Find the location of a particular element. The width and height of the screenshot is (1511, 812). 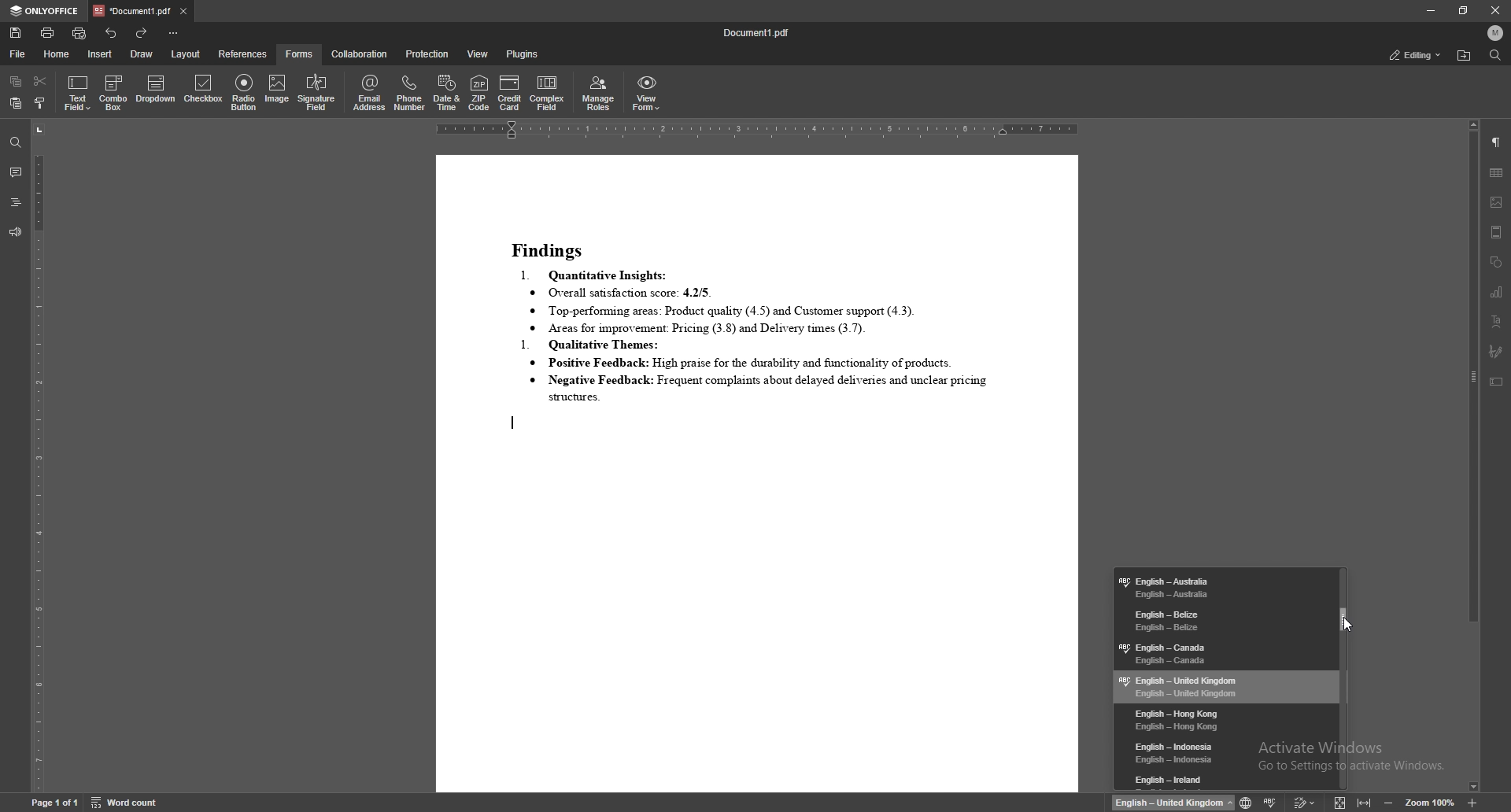

word count is located at coordinates (126, 803).